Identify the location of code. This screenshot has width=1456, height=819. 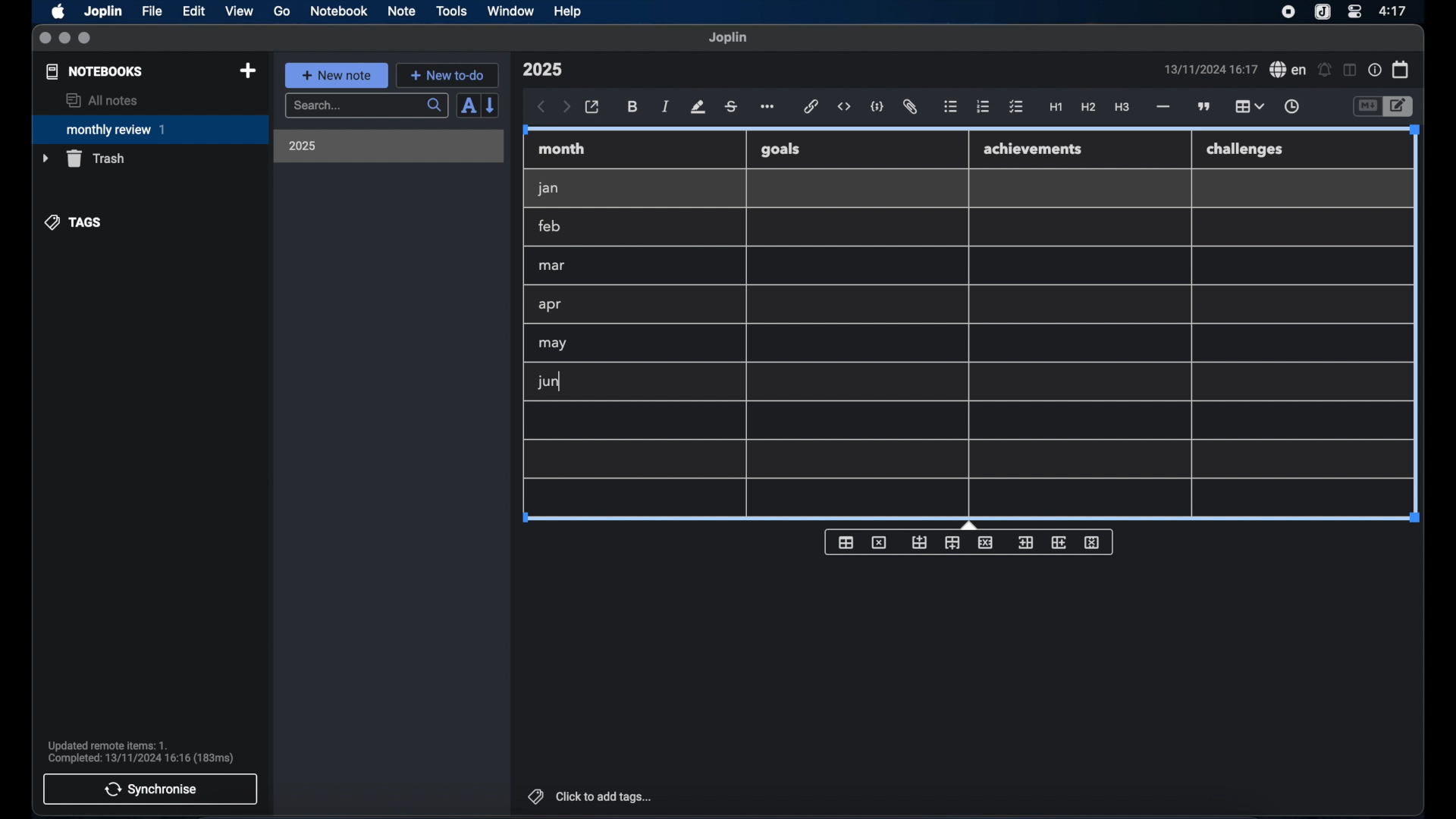
(877, 108).